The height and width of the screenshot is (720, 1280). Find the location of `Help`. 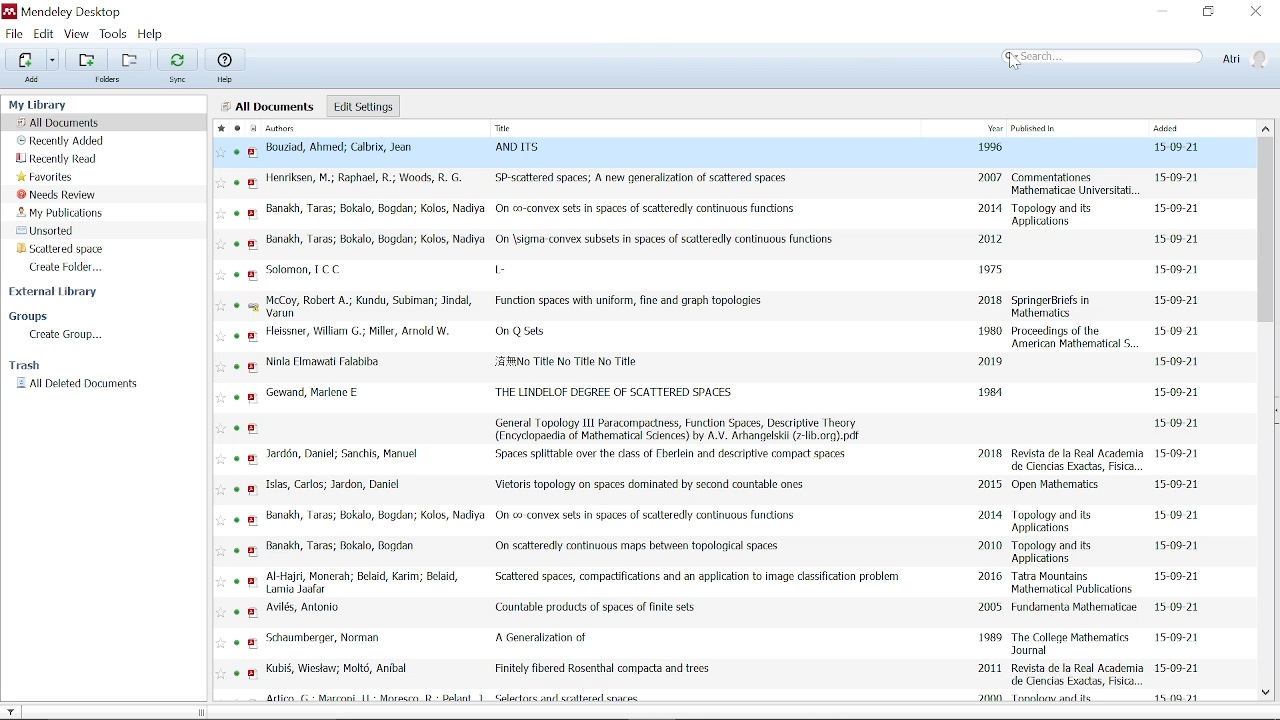

Help is located at coordinates (154, 33).